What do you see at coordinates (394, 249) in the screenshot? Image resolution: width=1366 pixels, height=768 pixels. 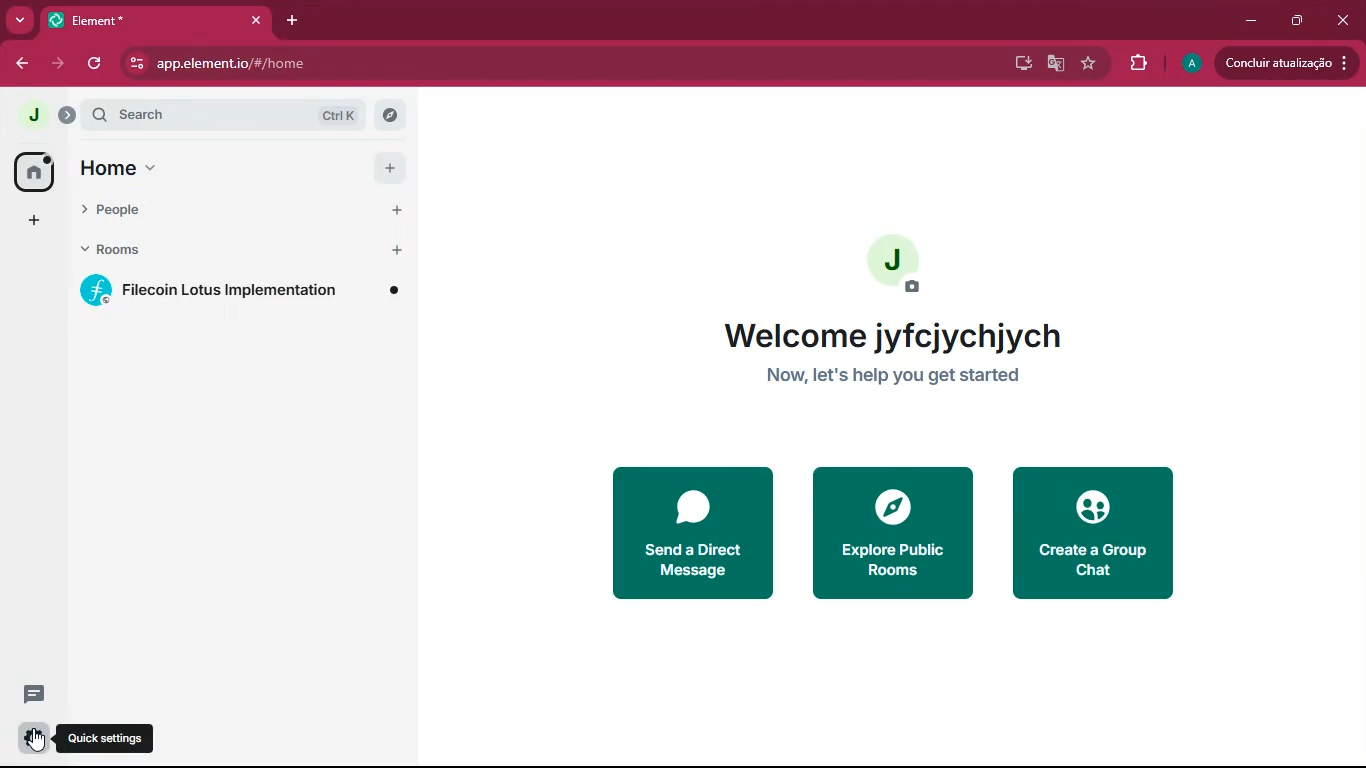 I see `add button` at bounding box center [394, 249].